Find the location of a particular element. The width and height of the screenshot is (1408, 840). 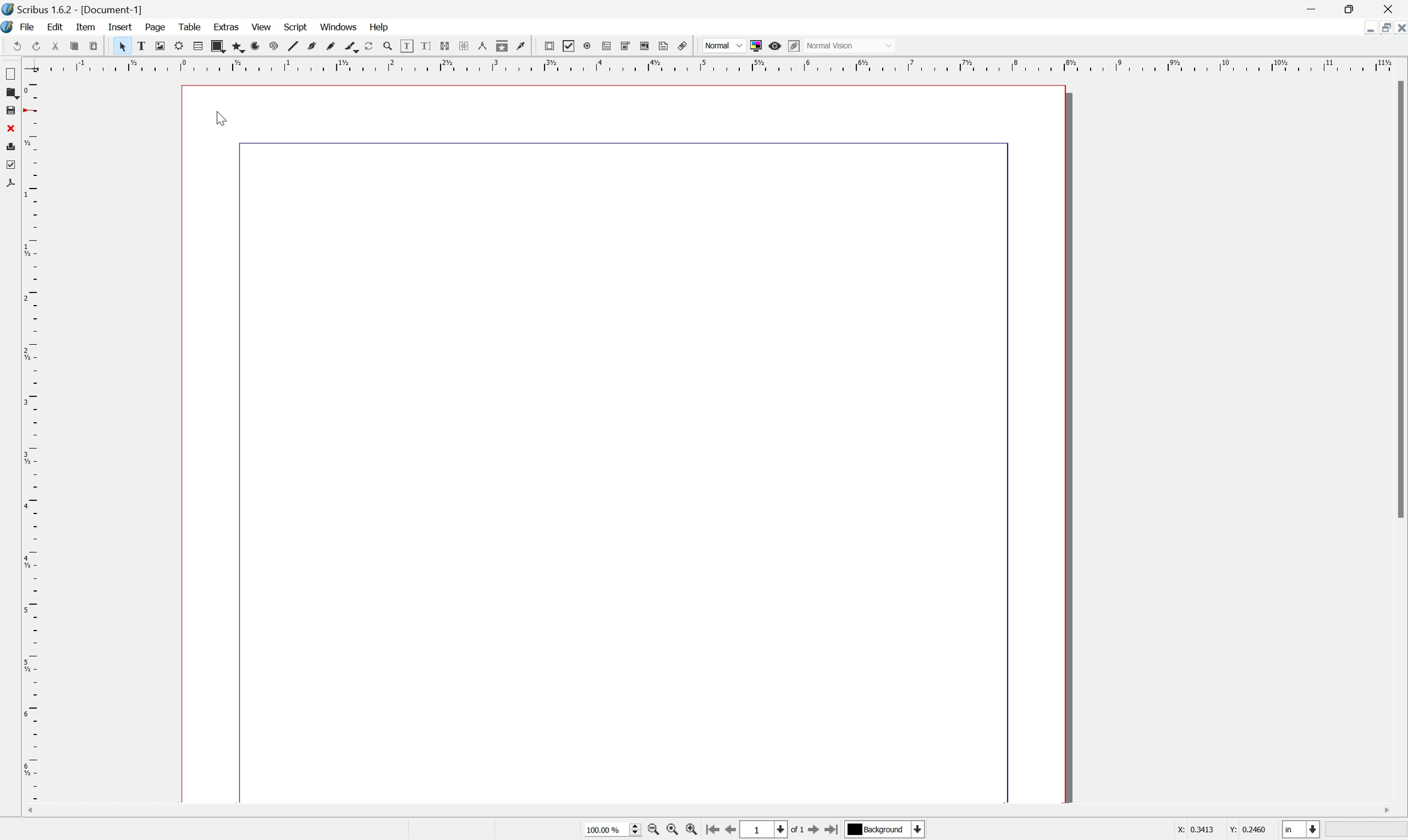

item is located at coordinates (87, 28).